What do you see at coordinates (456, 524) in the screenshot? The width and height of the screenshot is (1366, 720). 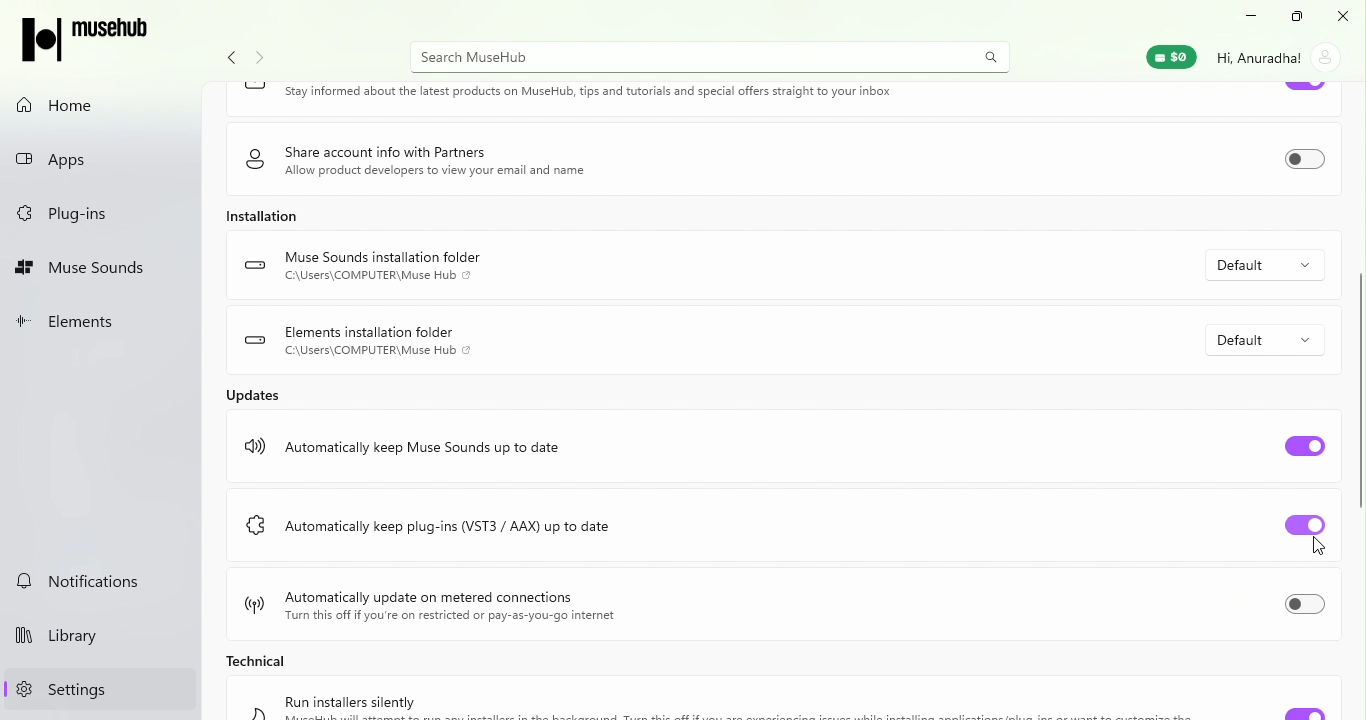 I see `Automatically keep plug-ins (VST3 / AAX) up to date` at bounding box center [456, 524].